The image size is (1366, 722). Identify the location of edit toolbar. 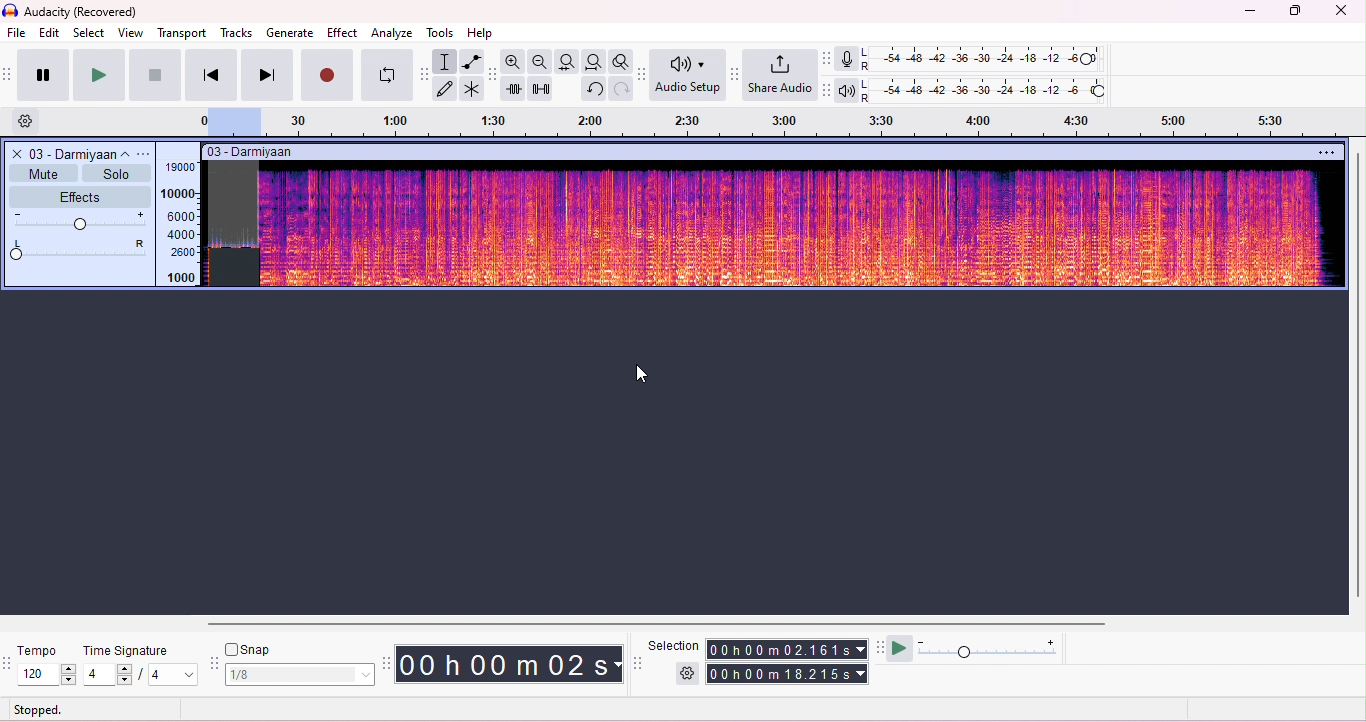
(493, 74).